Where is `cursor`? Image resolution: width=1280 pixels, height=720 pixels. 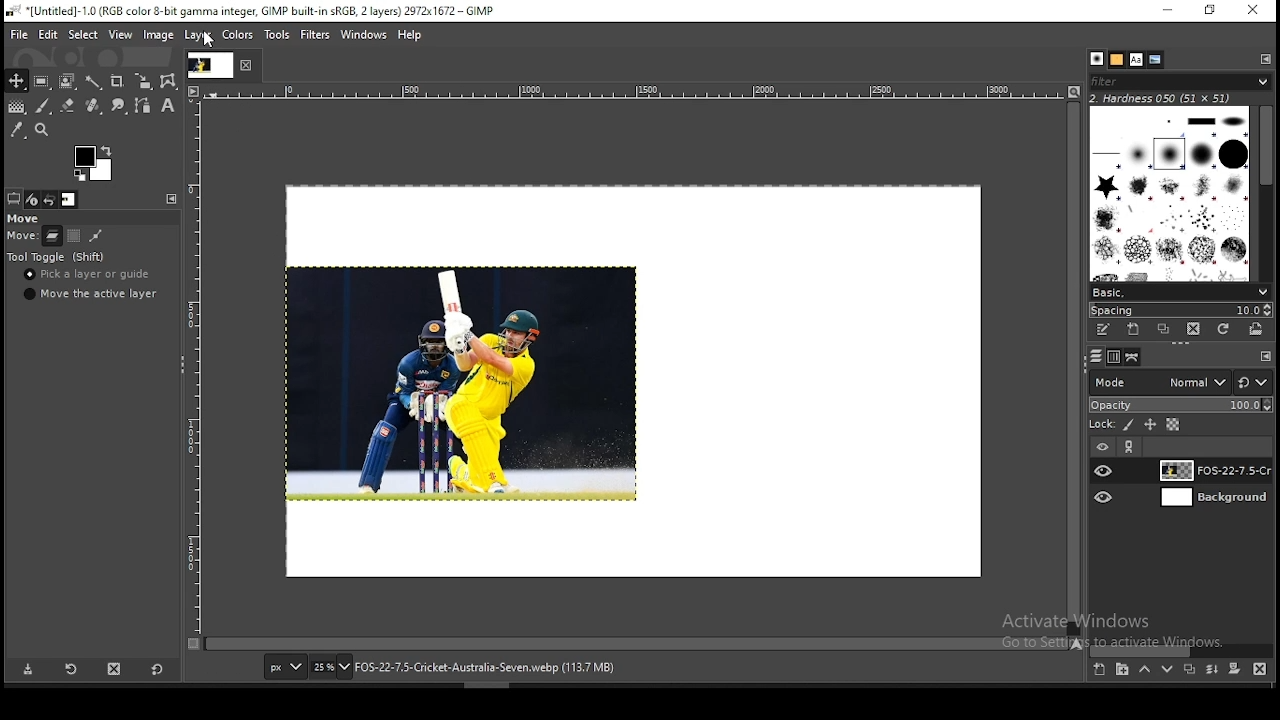
cursor is located at coordinates (209, 41).